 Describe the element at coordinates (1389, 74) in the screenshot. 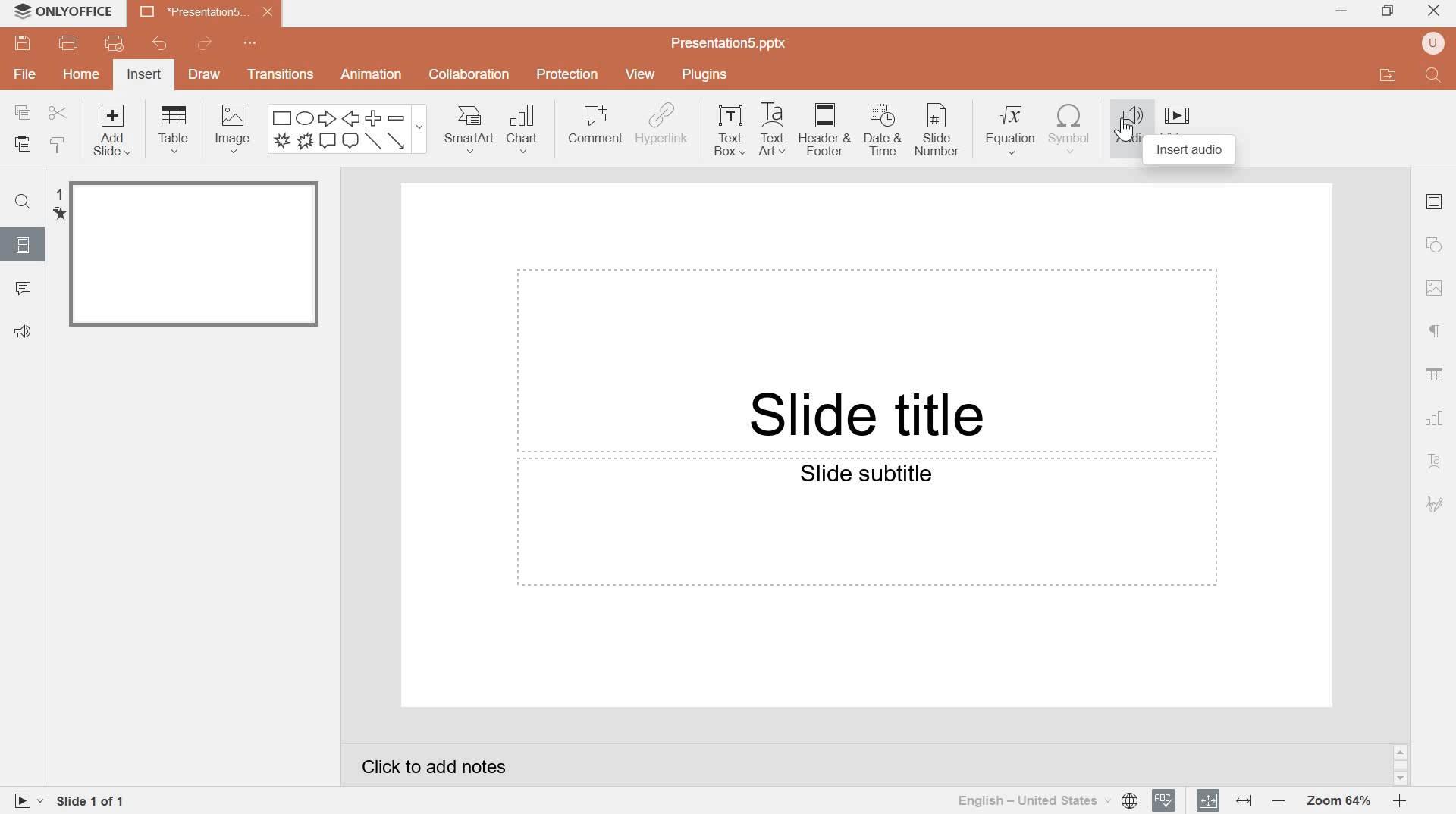

I see `open file location` at that location.